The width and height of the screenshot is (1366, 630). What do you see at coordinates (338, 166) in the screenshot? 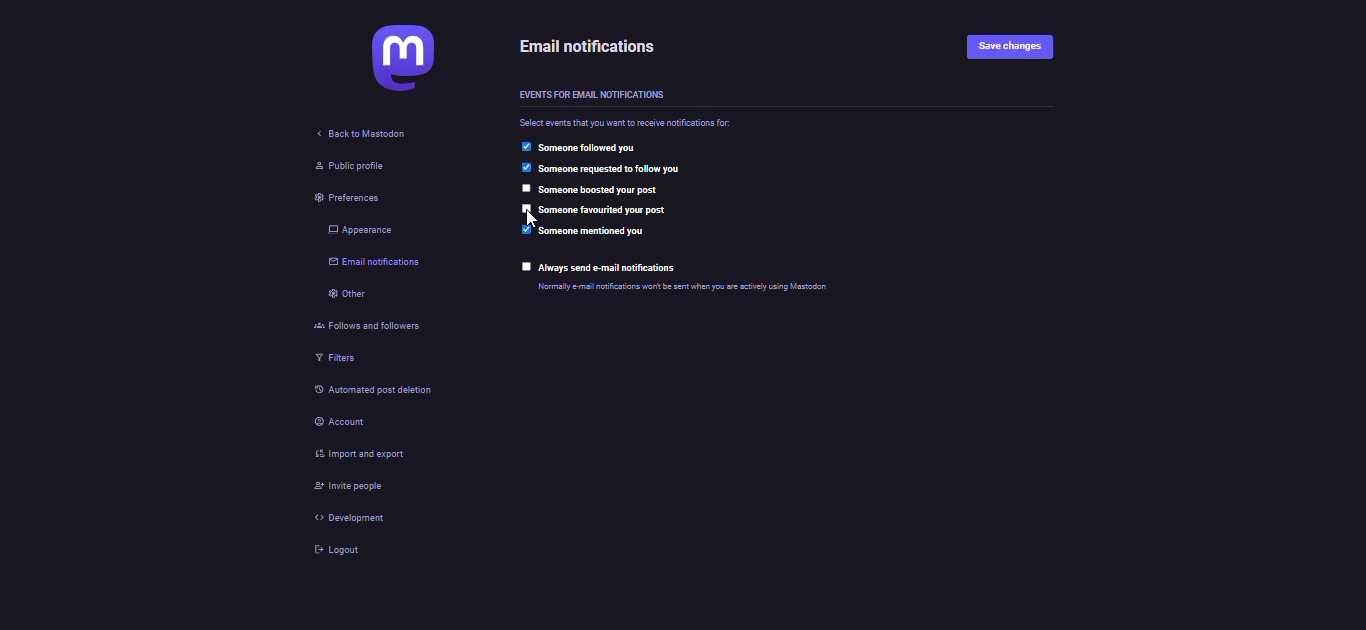
I see `public profile` at bounding box center [338, 166].